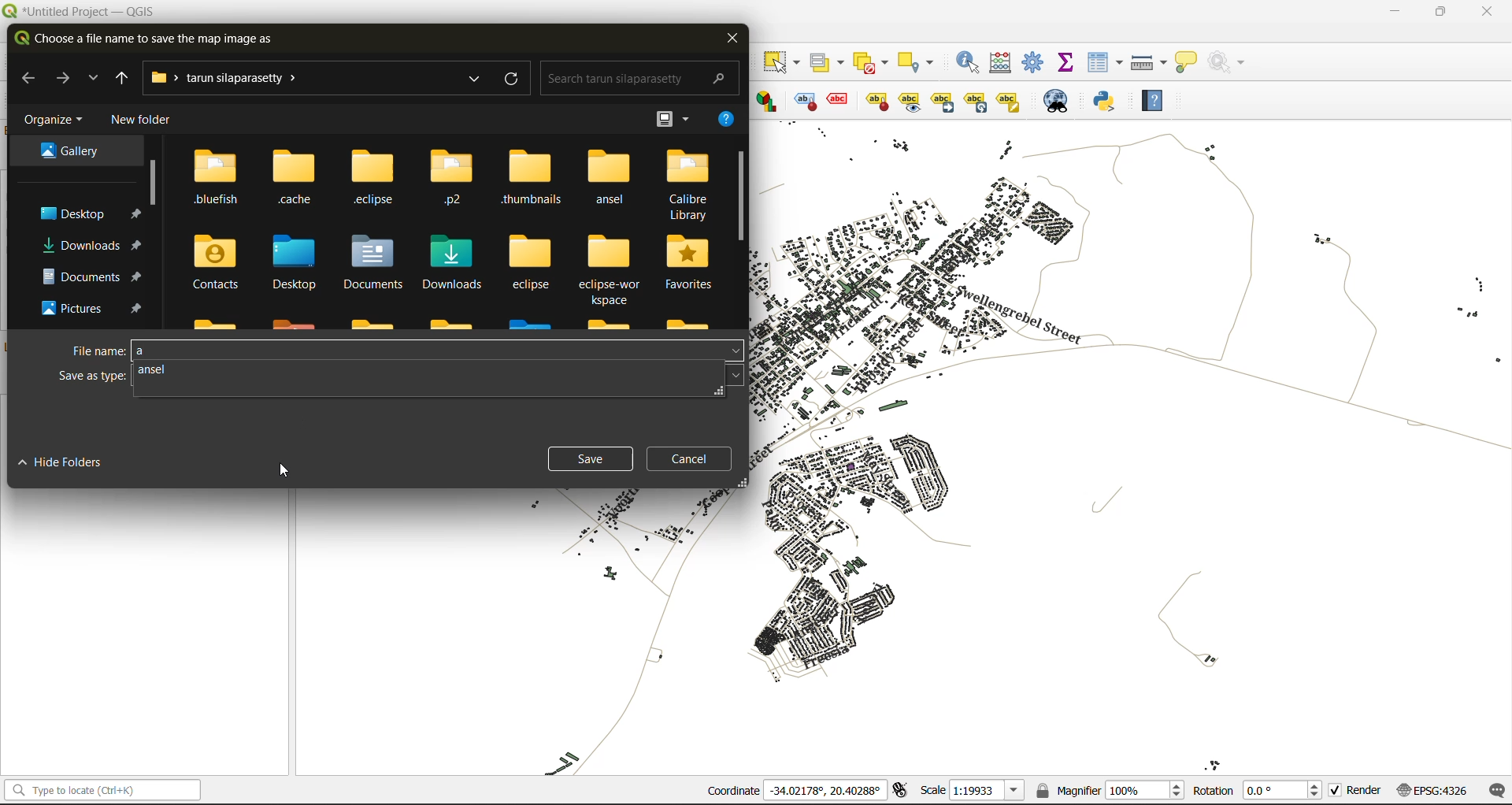 This screenshot has width=1512, height=805. Describe the element at coordinates (899, 791) in the screenshot. I see `toggle extents` at that location.